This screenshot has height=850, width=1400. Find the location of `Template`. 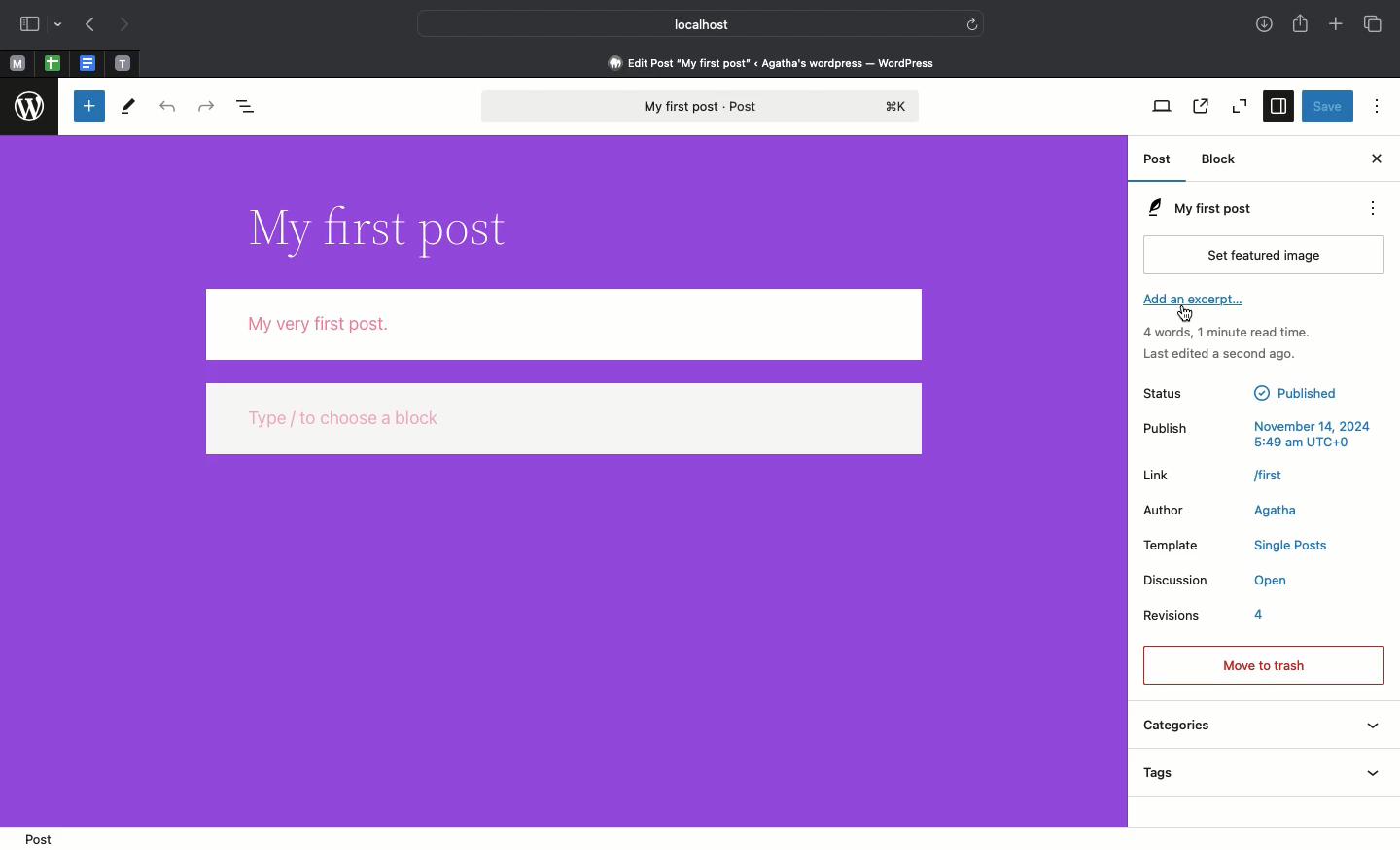

Template is located at coordinates (1236, 547).